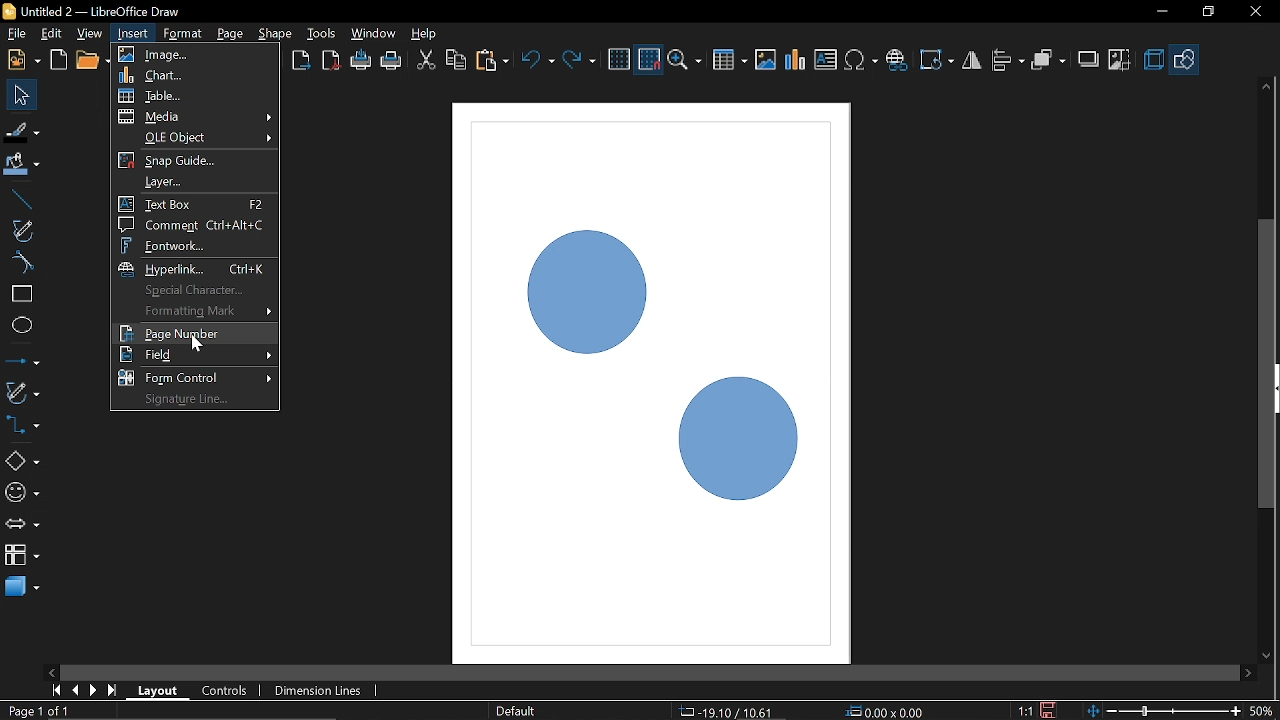  Describe the element at coordinates (513, 711) in the screenshot. I see `Style` at that location.